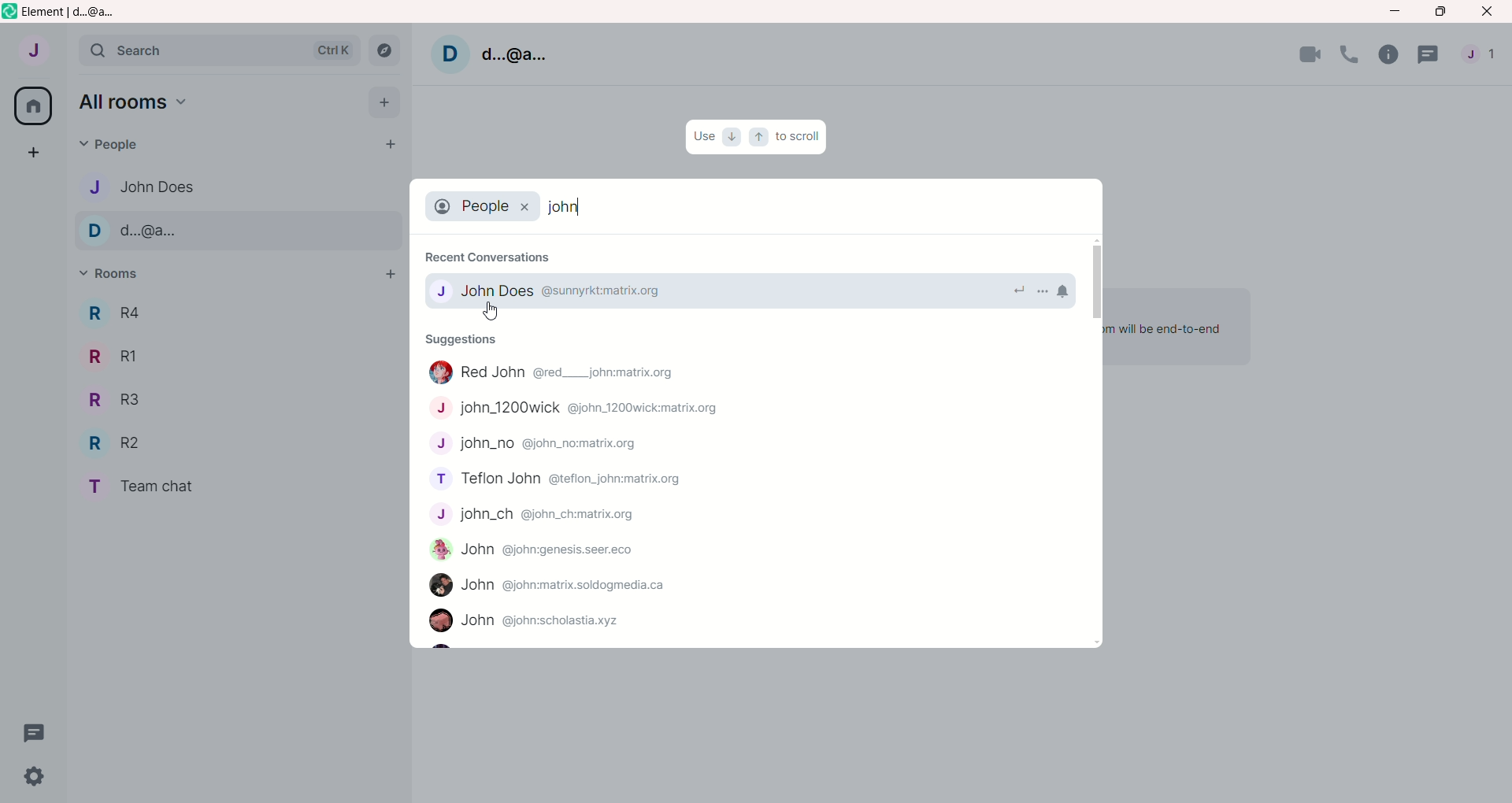 This screenshot has width=1512, height=803. I want to click on teflon john, so click(561, 479).